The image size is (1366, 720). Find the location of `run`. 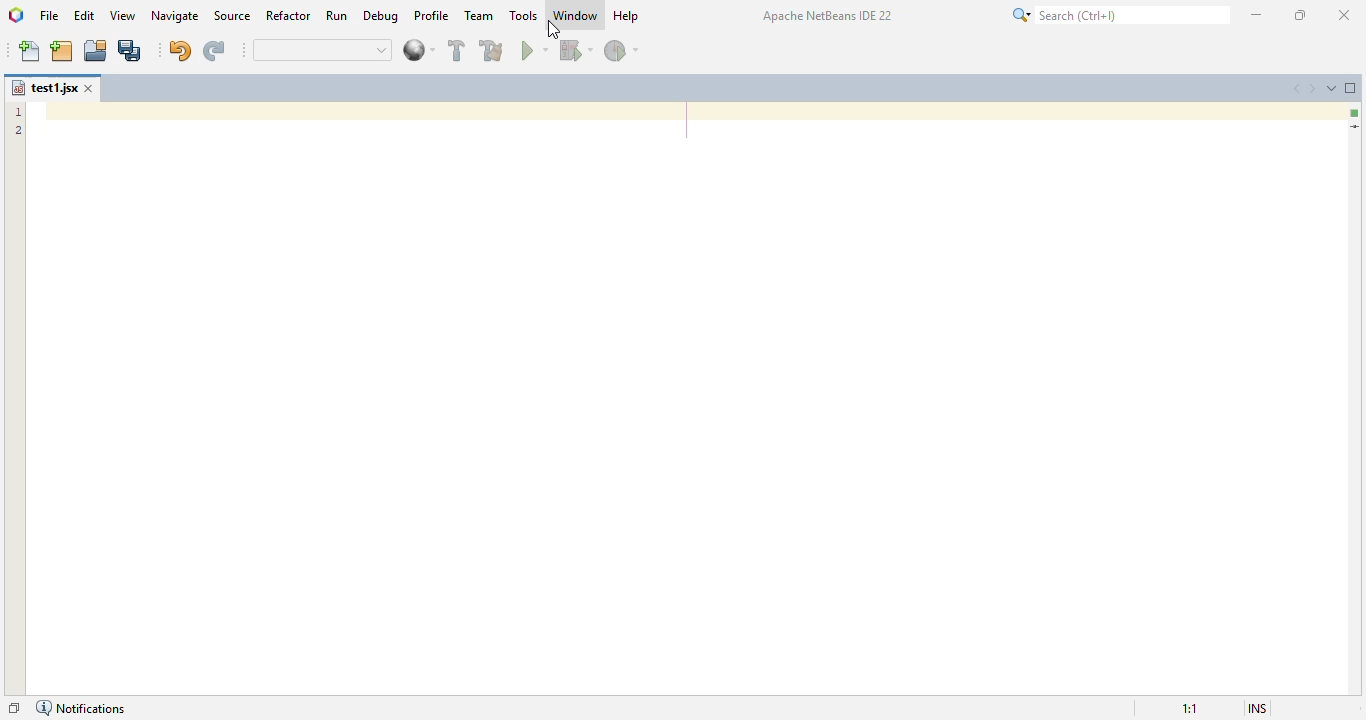

run is located at coordinates (337, 15).